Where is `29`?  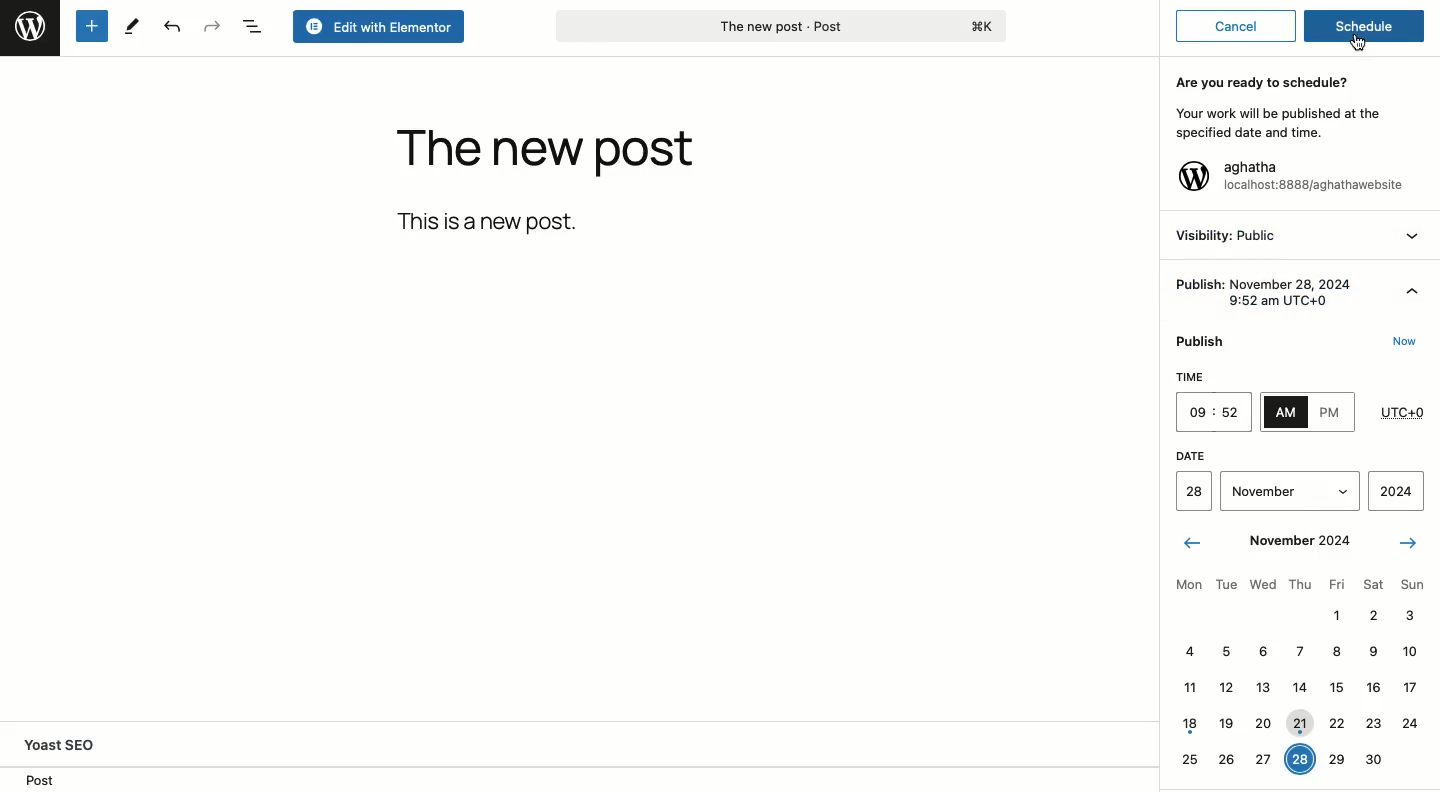 29 is located at coordinates (1338, 757).